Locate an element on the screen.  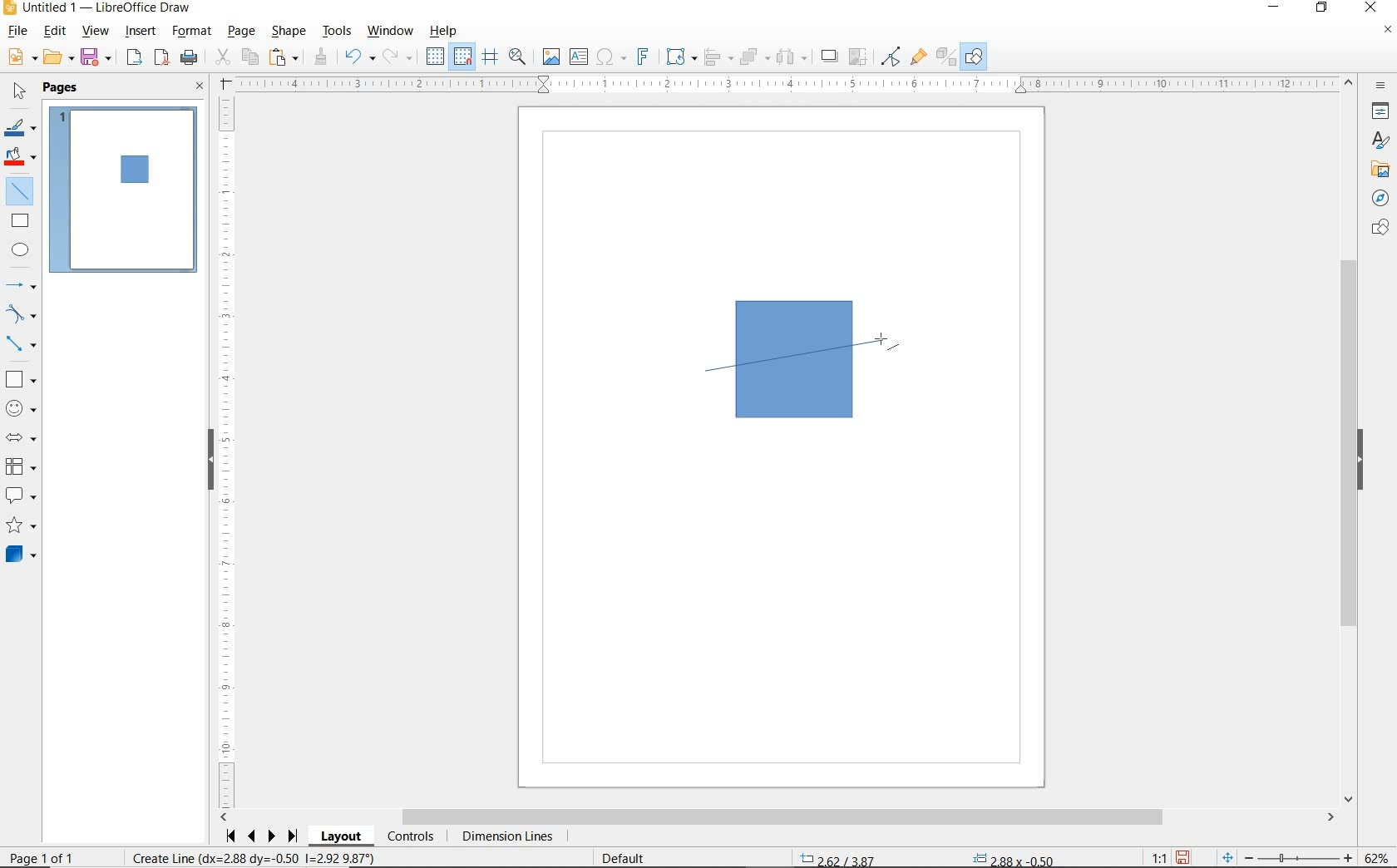
SCROLL NEXT is located at coordinates (263, 836).